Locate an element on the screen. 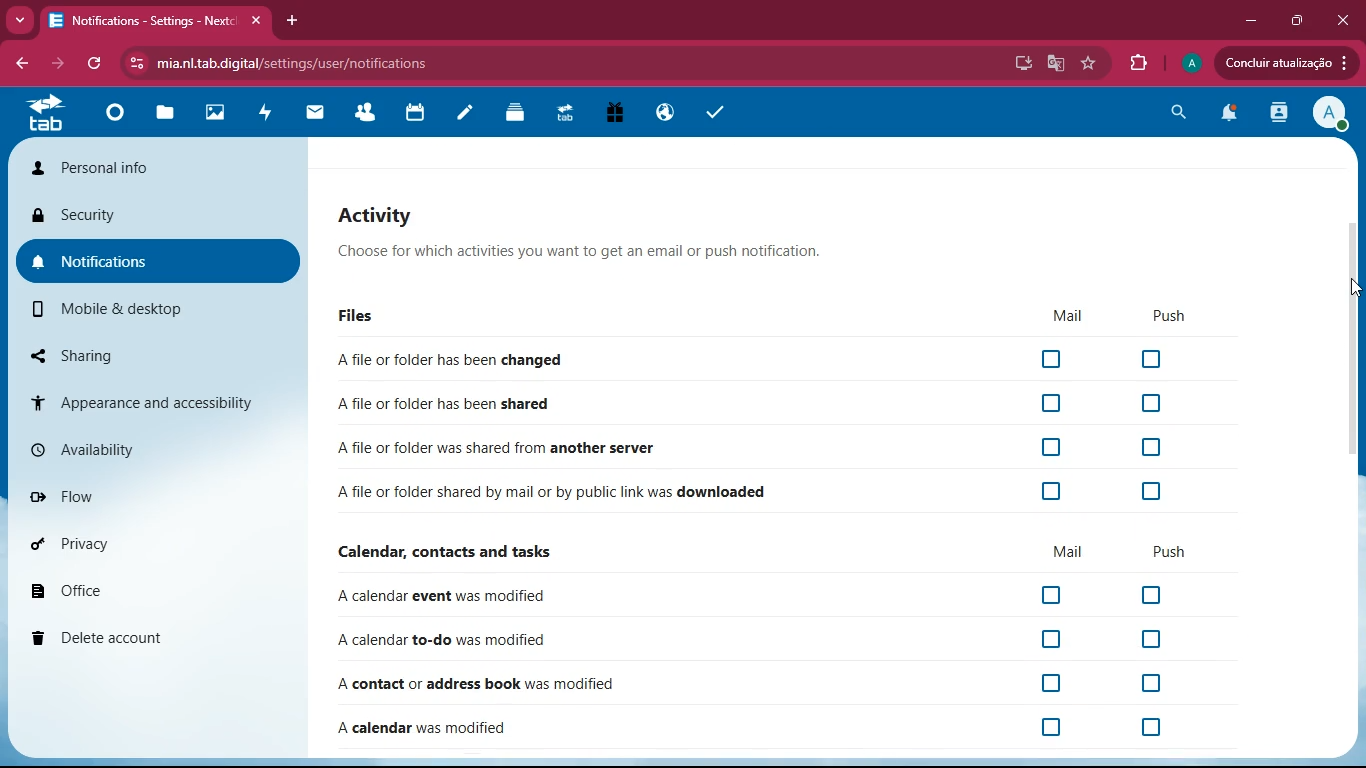  mail is located at coordinates (1069, 552).